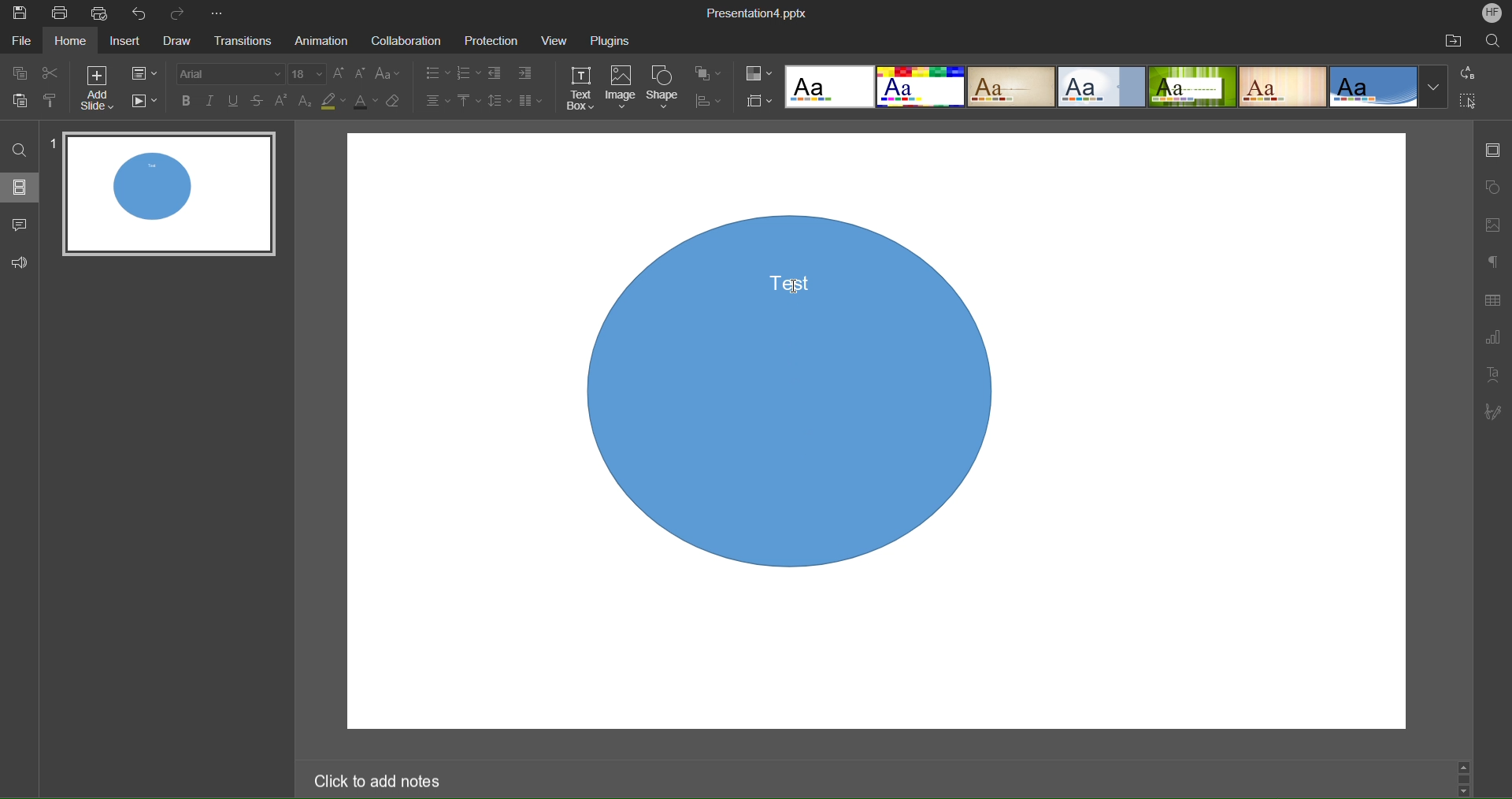  What do you see at coordinates (131, 43) in the screenshot?
I see `Insert` at bounding box center [131, 43].